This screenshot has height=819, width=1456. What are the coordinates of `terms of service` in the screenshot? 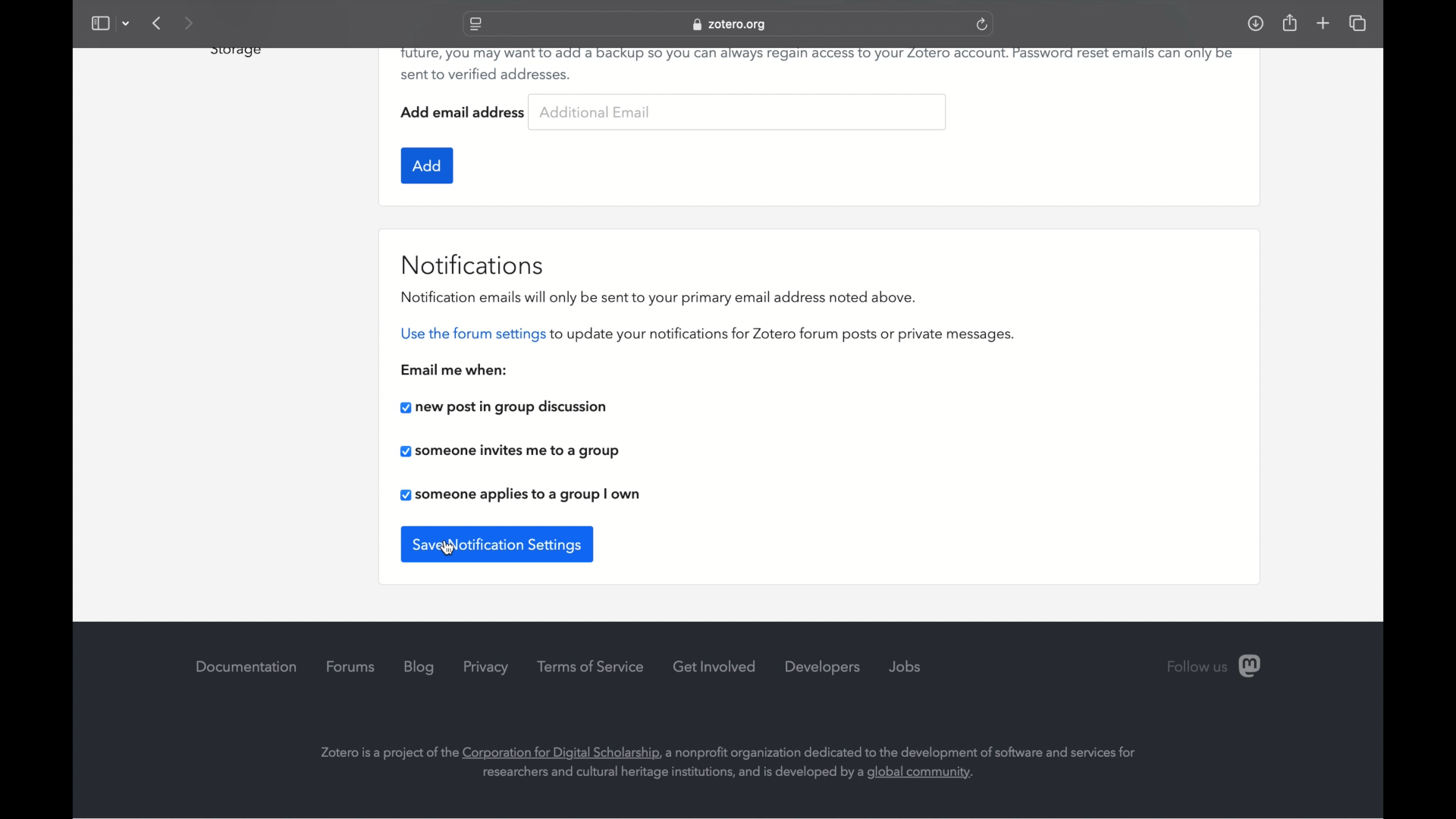 It's located at (590, 666).